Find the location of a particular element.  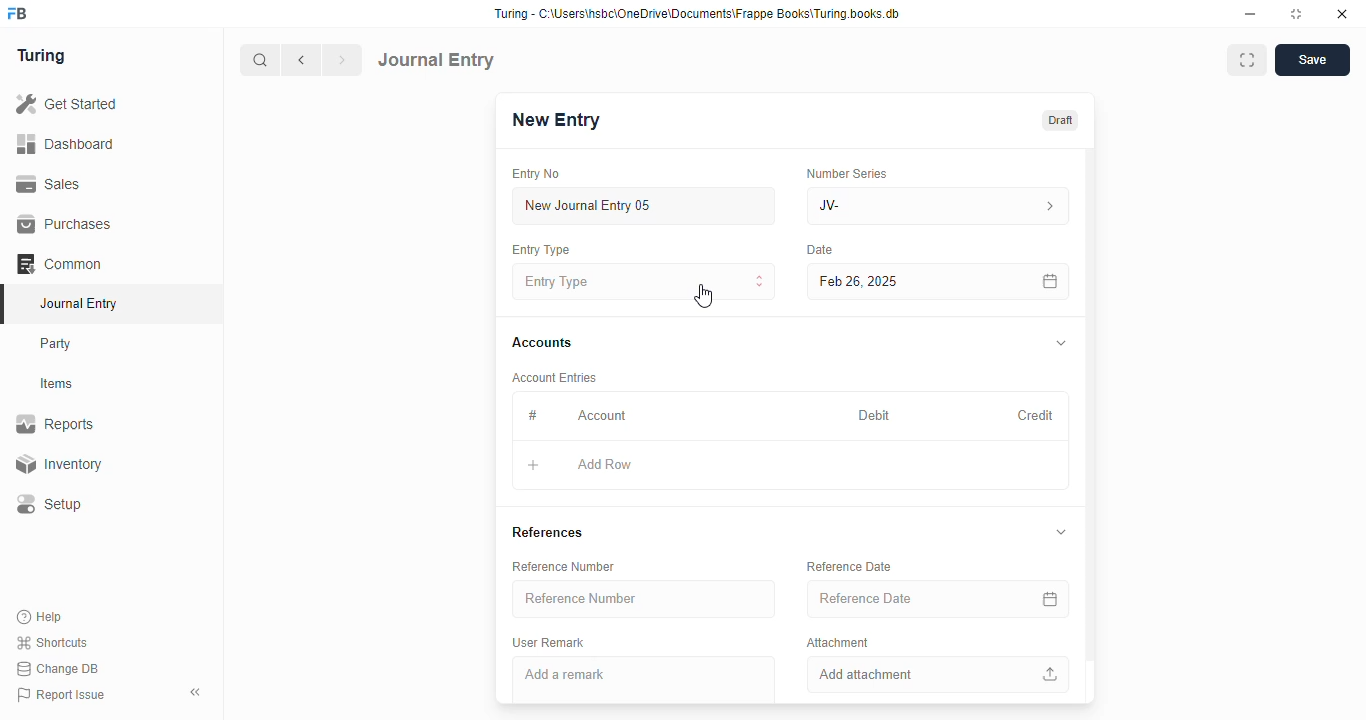

change DB is located at coordinates (58, 669).